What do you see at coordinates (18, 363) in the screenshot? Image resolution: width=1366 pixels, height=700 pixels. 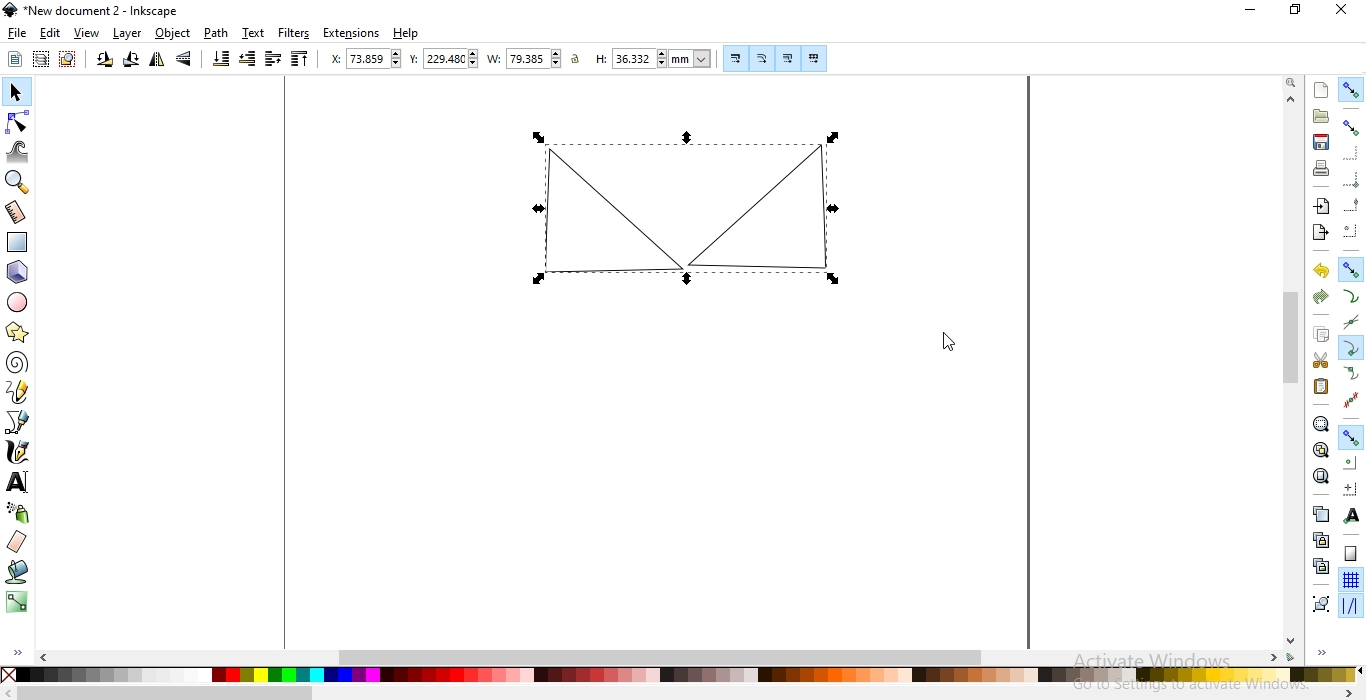 I see `create spirals` at bounding box center [18, 363].